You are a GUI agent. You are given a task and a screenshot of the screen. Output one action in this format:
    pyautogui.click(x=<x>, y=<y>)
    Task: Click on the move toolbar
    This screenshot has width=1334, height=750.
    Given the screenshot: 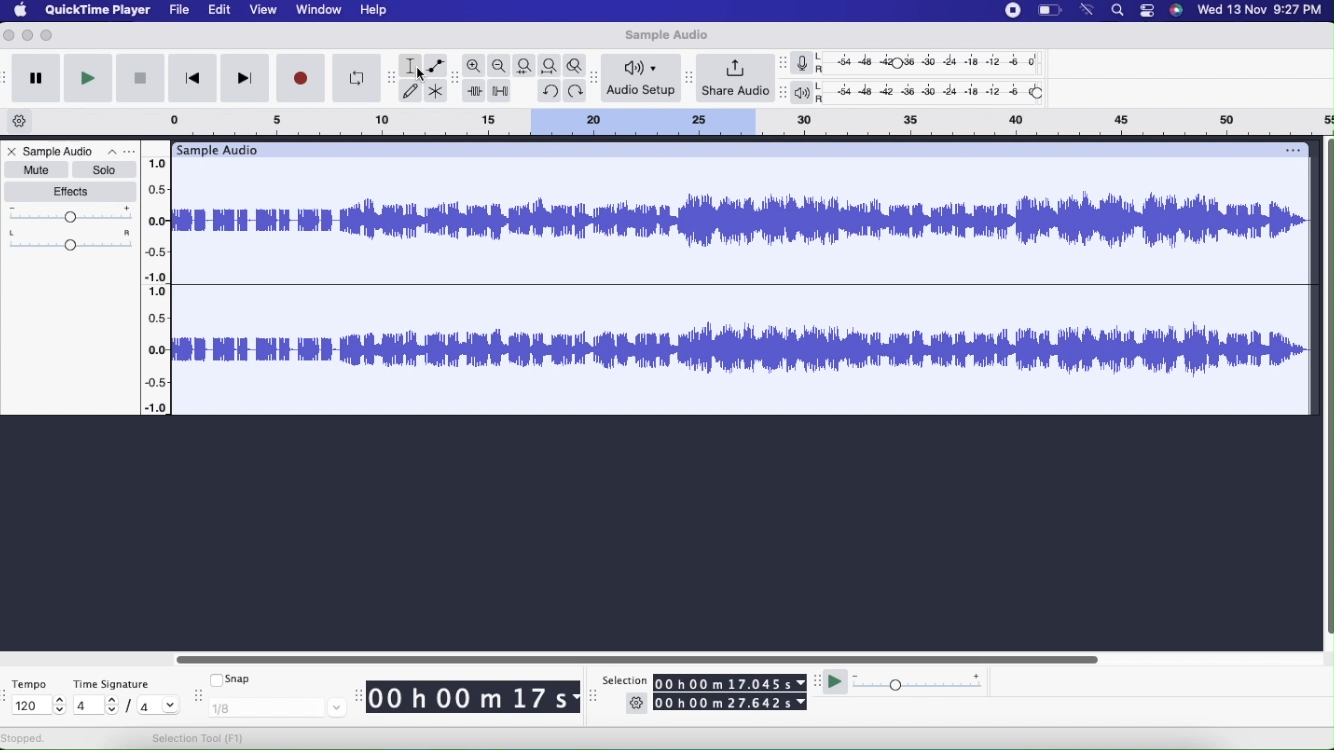 What is the action you would take?
    pyautogui.click(x=8, y=76)
    